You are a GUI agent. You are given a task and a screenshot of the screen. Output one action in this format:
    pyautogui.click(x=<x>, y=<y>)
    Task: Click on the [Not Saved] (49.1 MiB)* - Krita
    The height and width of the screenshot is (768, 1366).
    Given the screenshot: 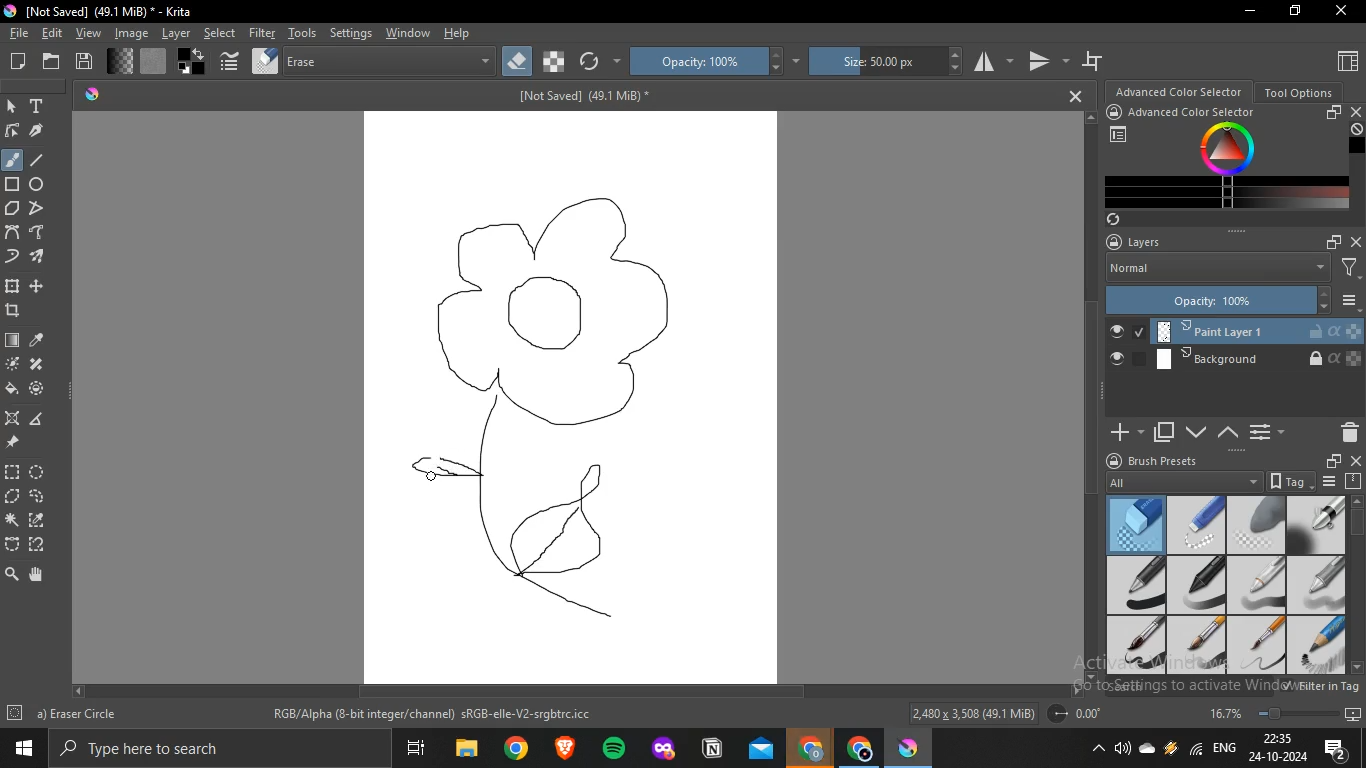 What is the action you would take?
    pyautogui.click(x=117, y=13)
    